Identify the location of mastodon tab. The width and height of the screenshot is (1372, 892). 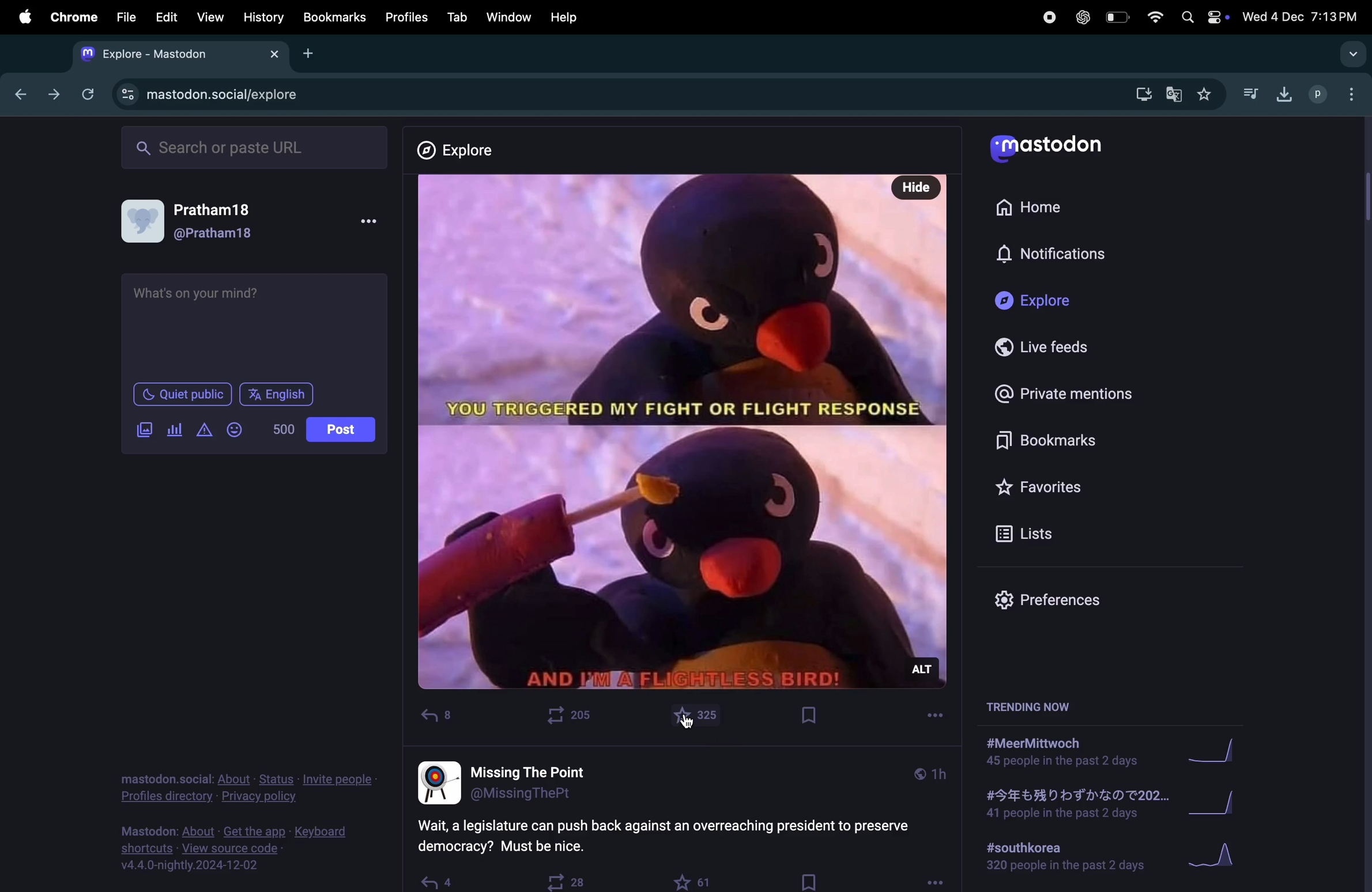
(178, 53).